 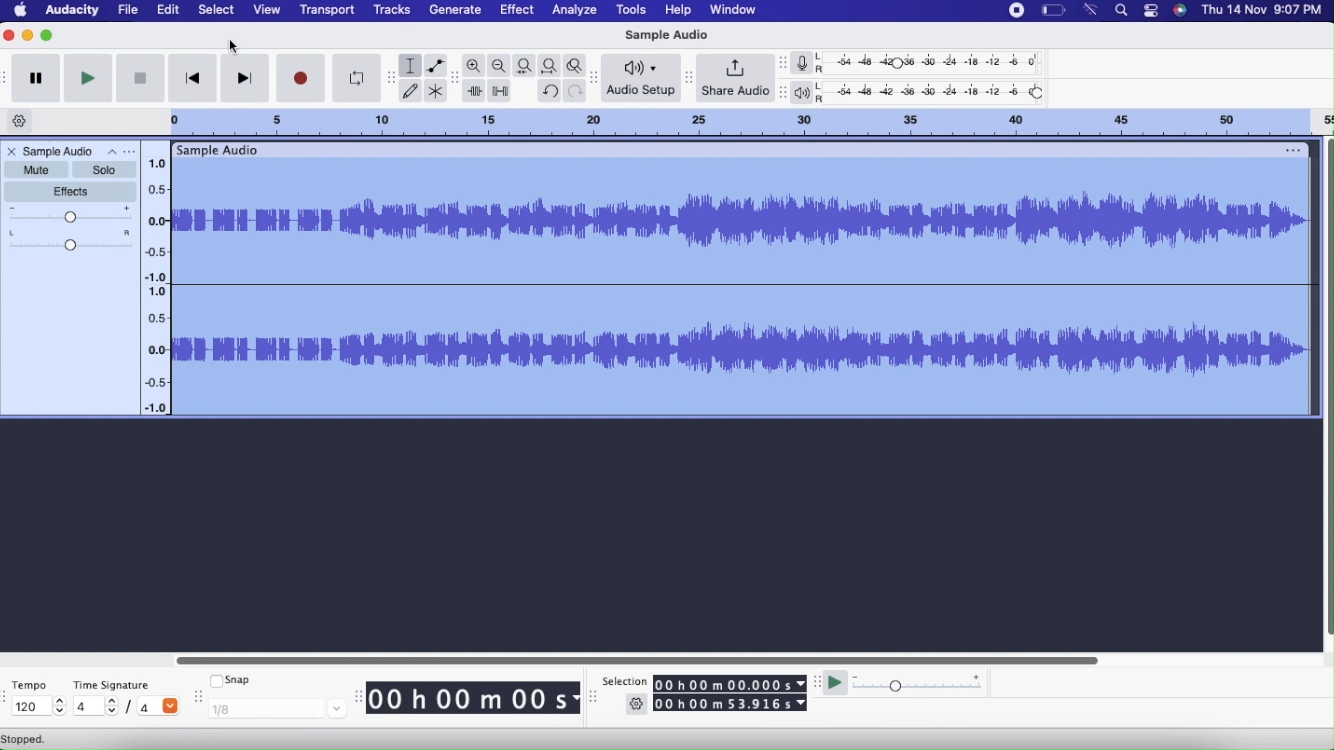 What do you see at coordinates (40, 170) in the screenshot?
I see `Mute` at bounding box center [40, 170].